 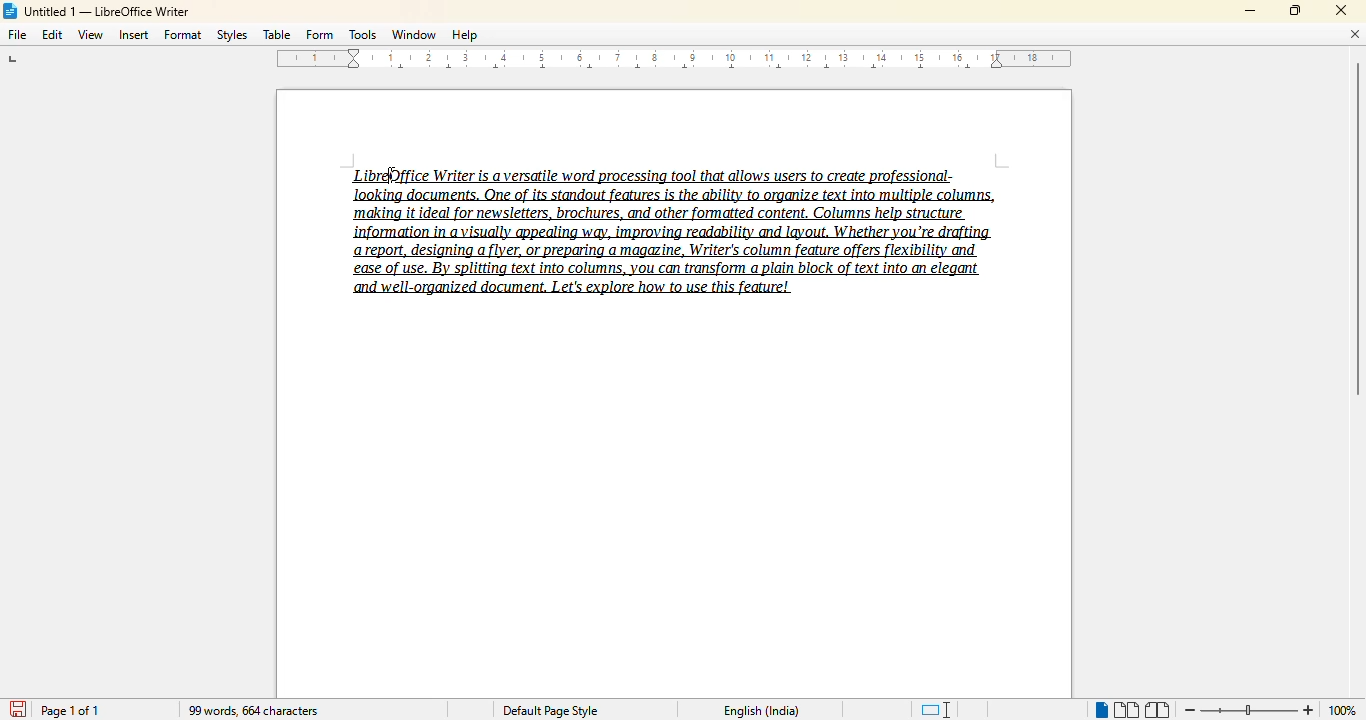 What do you see at coordinates (465, 35) in the screenshot?
I see `help` at bounding box center [465, 35].